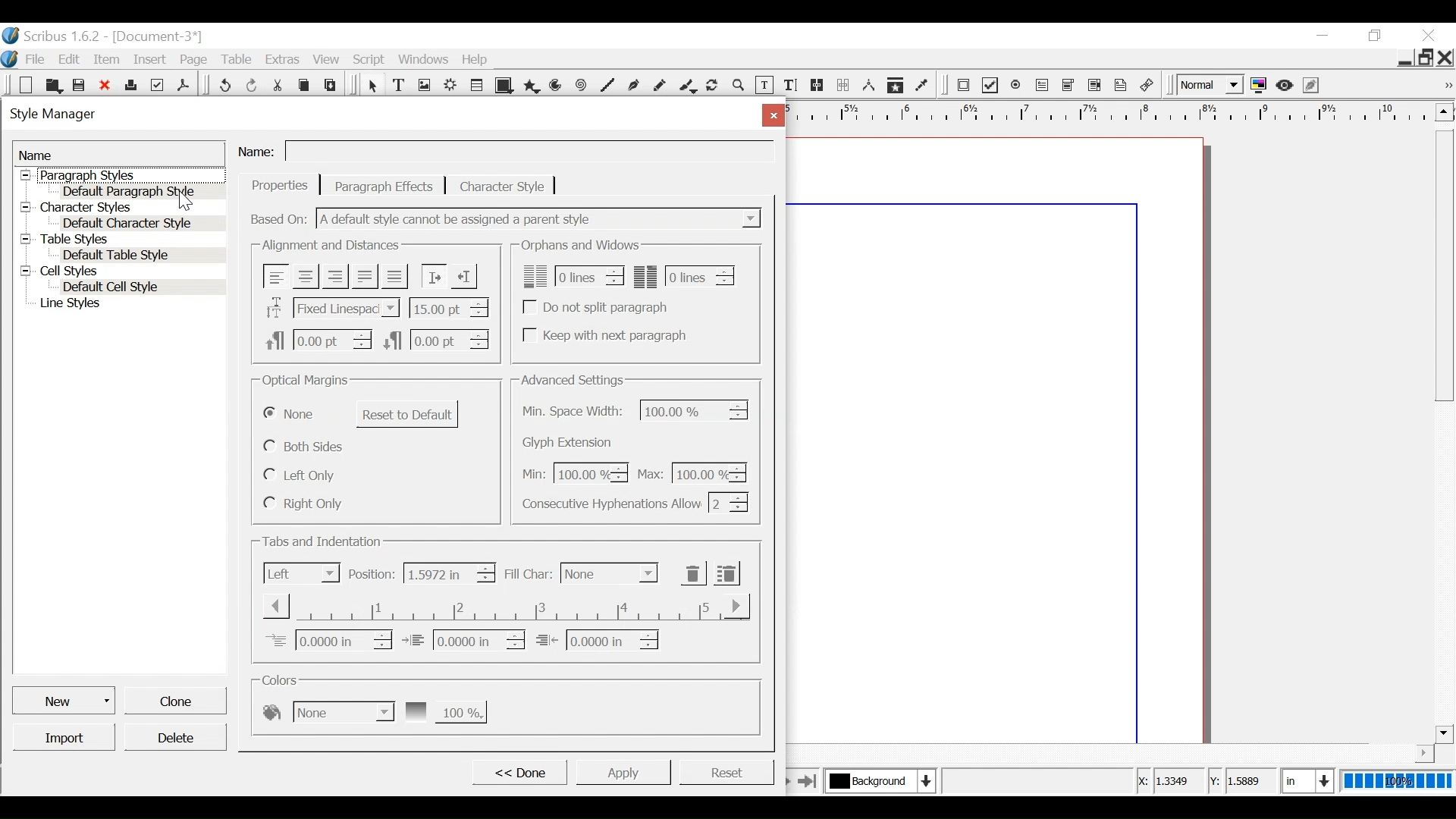  I want to click on Maximum, so click(689, 472).